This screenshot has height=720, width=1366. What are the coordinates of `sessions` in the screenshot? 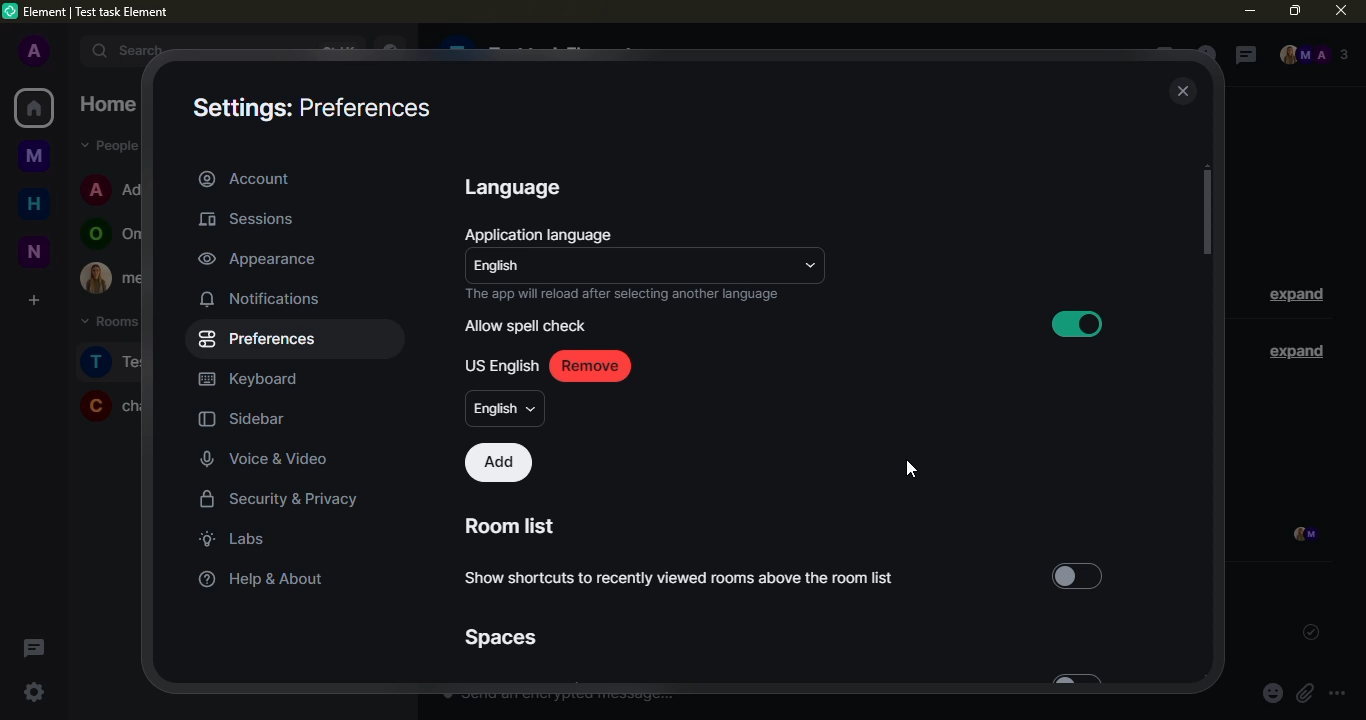 It's located at (253, 220).